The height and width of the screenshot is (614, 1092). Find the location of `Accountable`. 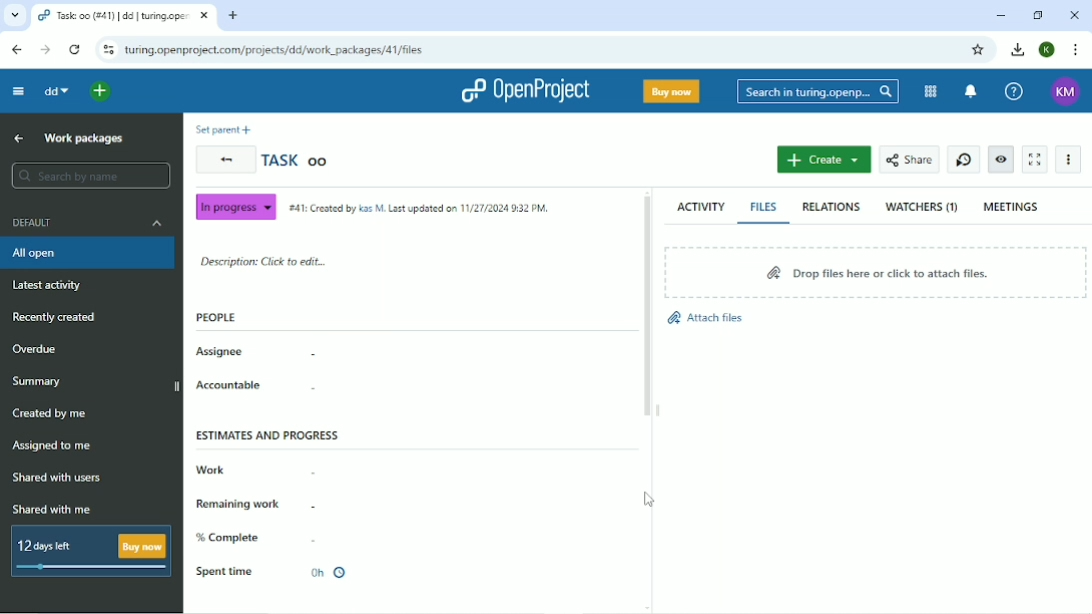

Accountable is located at coordinates (229, 384).